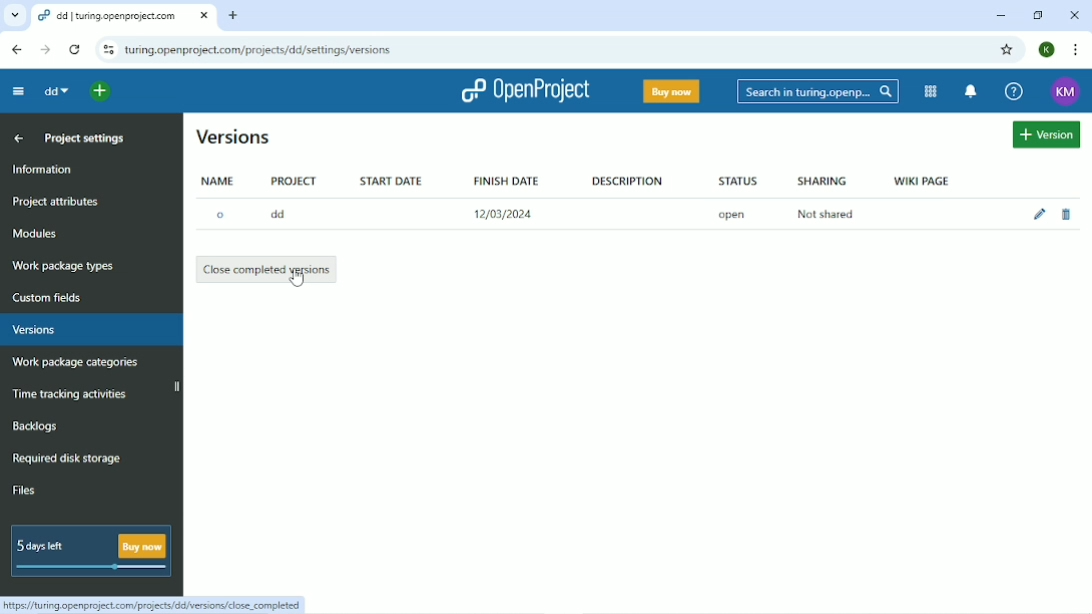 The image size is (1092, 614). I want to click on Close completed versions, so click(267, 268).